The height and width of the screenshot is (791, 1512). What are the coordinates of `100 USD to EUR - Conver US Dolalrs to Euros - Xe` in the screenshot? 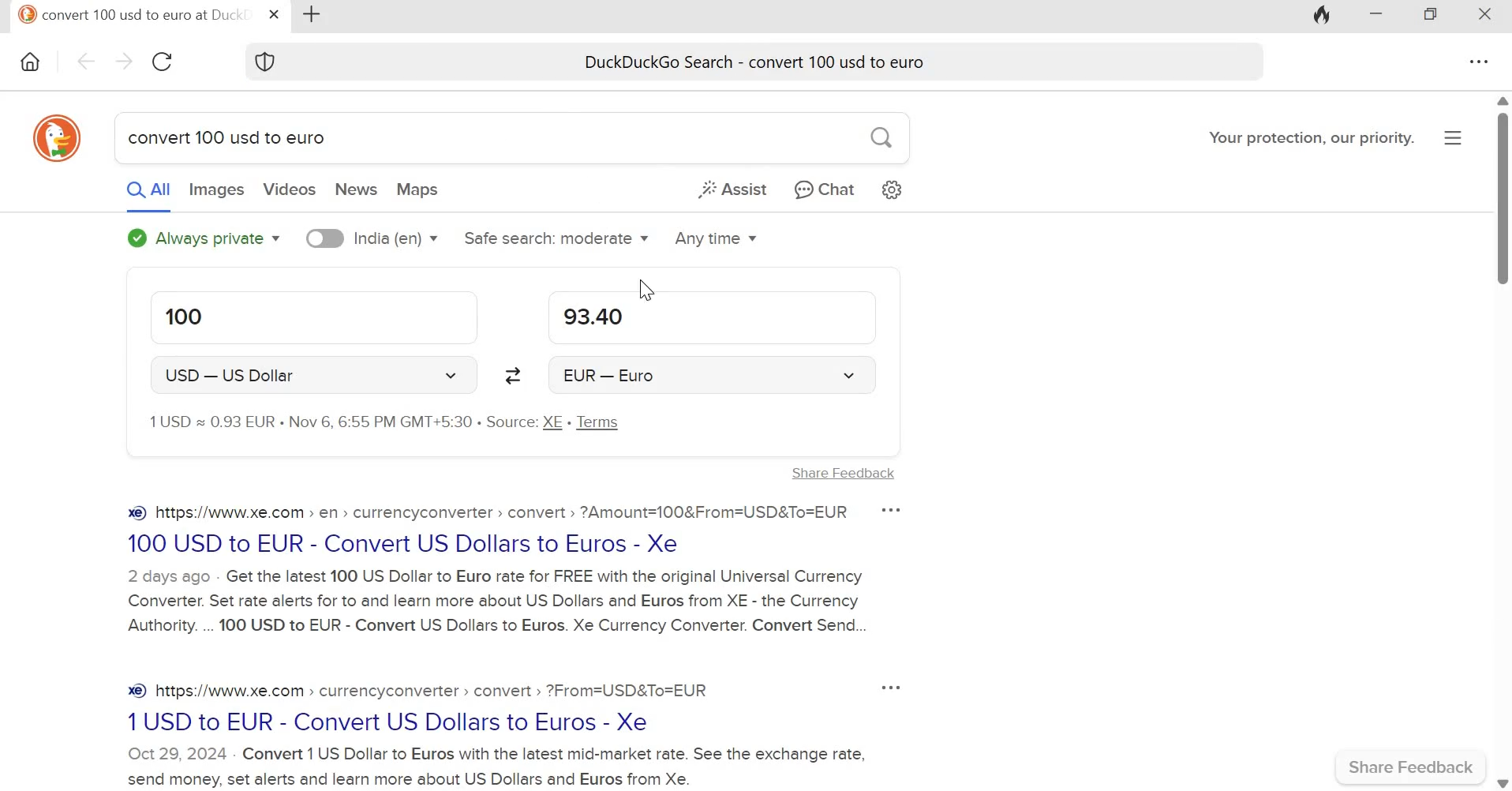 It's located at (405, 546).